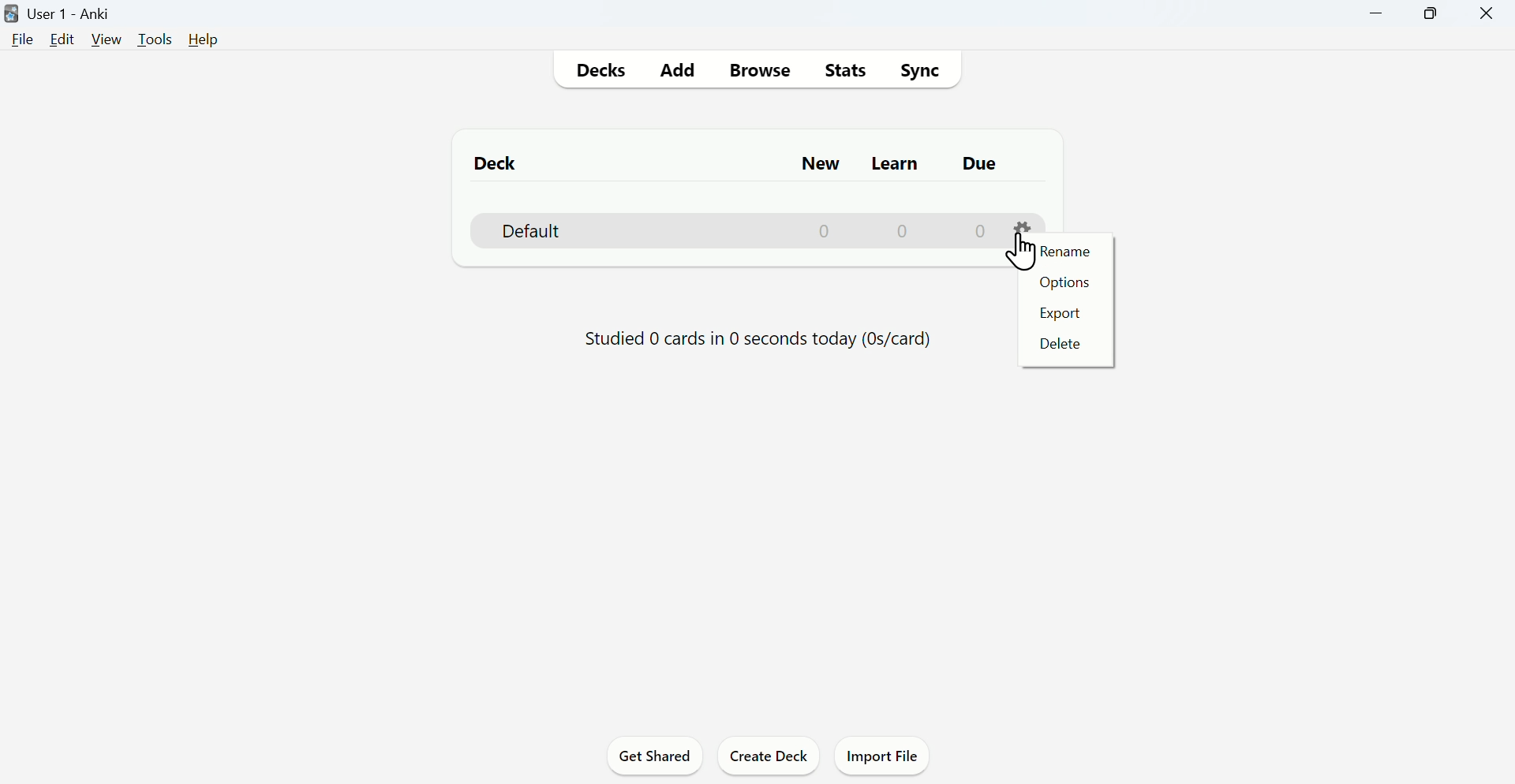 Image resolution: width=1515 pixels, height=784 pixels. Describe the element at coordinates (597, 71) in the screenshot. I see `Decks` at that location.